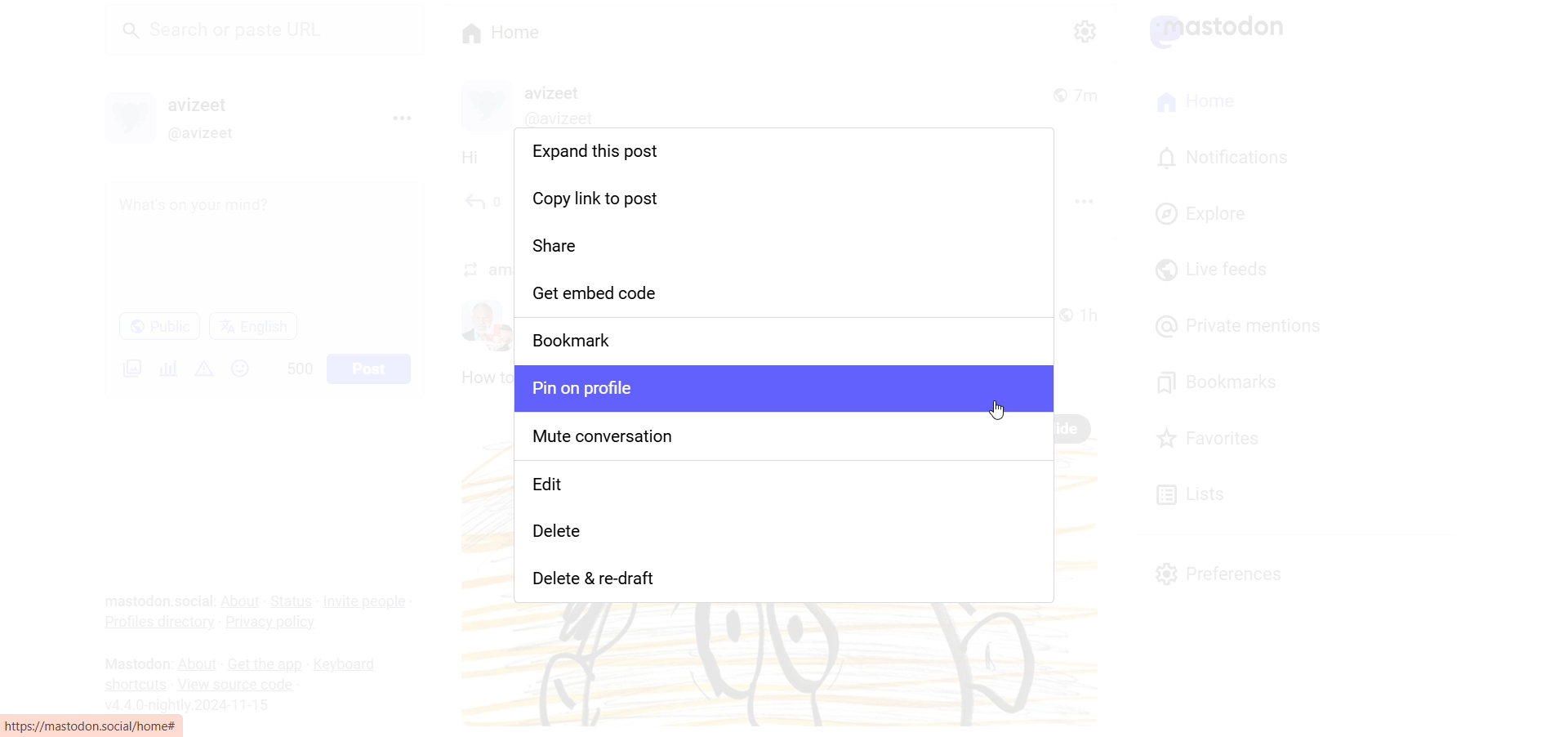  Describe the element at coordinates (131, 115) in the screenshot. I see `Profile Photo` at that location.